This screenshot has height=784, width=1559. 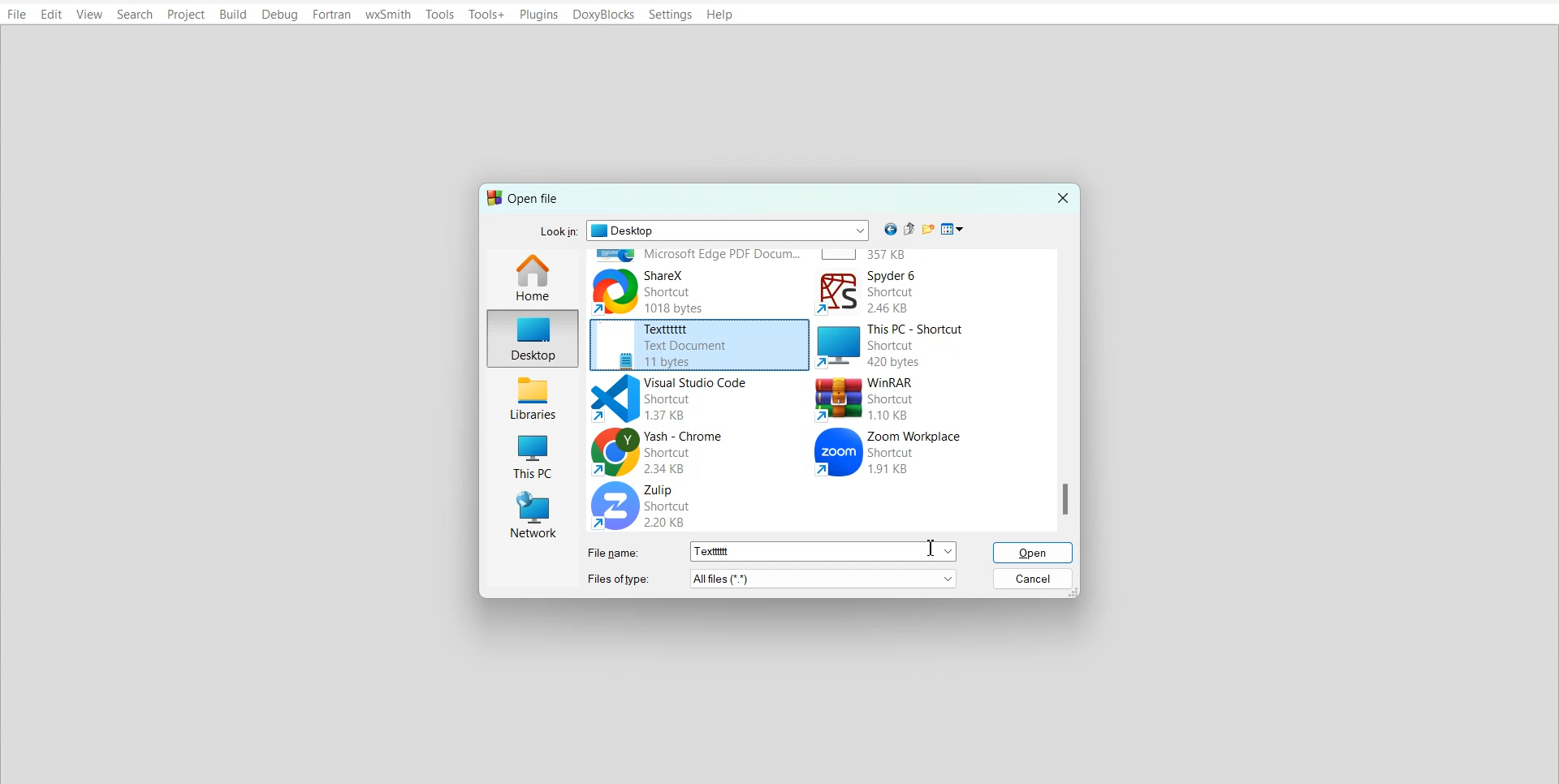 What do you see at coordinates (1064, 196) in the screenshot?
I see `Close` at bounding box center [1064, 196].